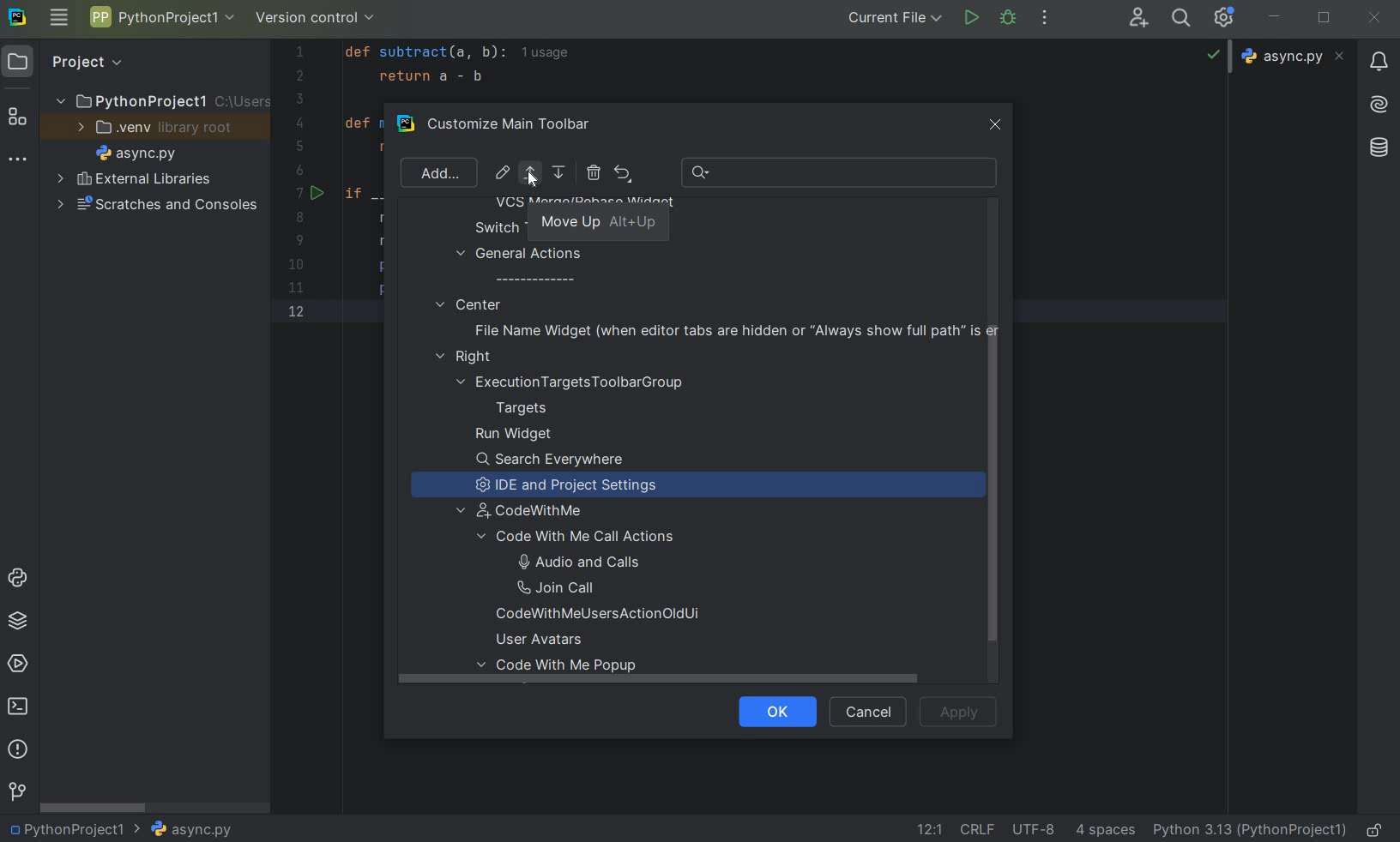 This screenshot has height=842, width=1400. What do you see at coordinates (20, 581) in the screenshot?
I see `PYTHON CONSOLE` at bounding box center [20, 581].